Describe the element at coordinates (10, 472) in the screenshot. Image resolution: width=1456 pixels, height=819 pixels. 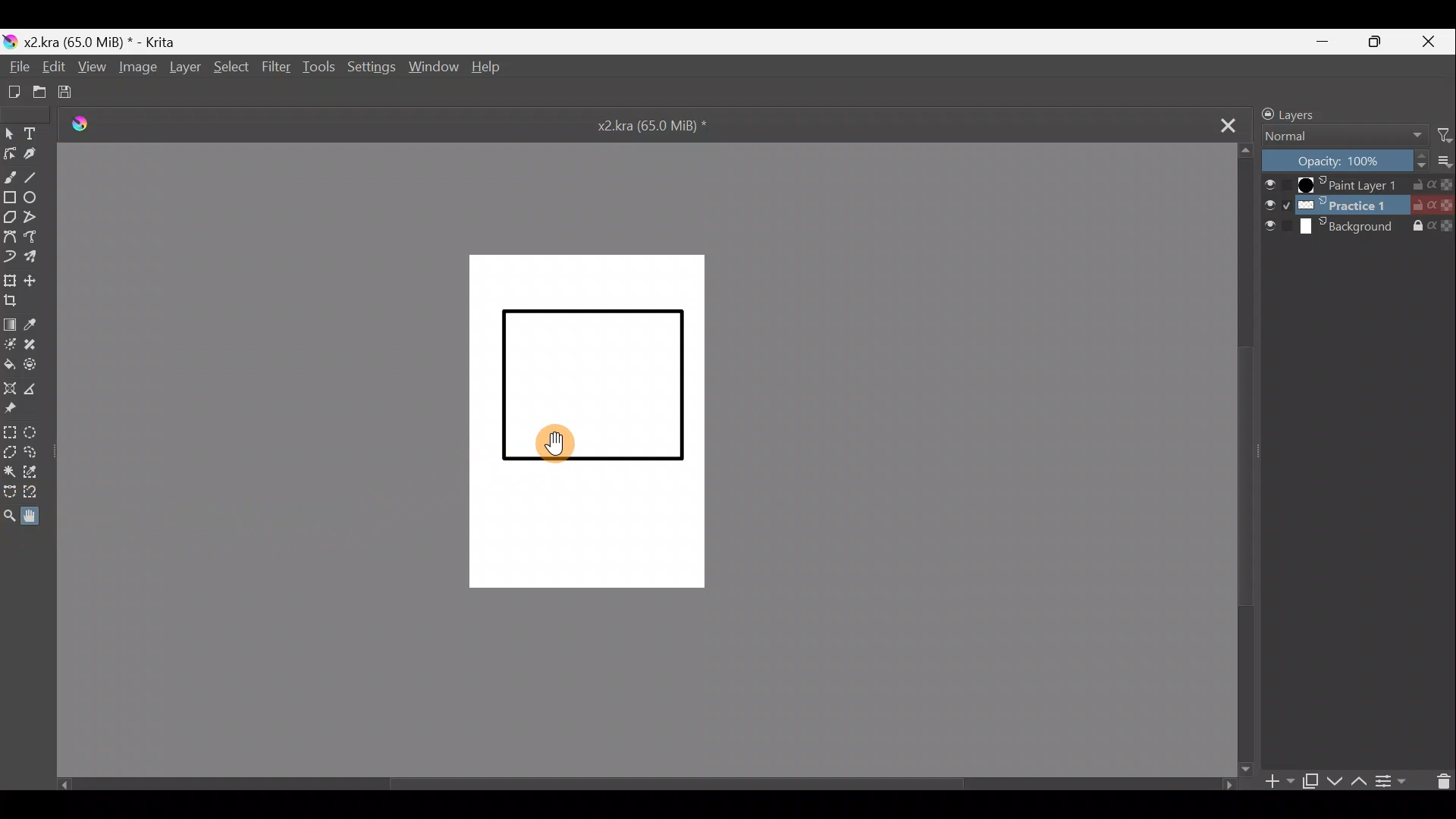
I see `Contiguous selection tool` at that location.